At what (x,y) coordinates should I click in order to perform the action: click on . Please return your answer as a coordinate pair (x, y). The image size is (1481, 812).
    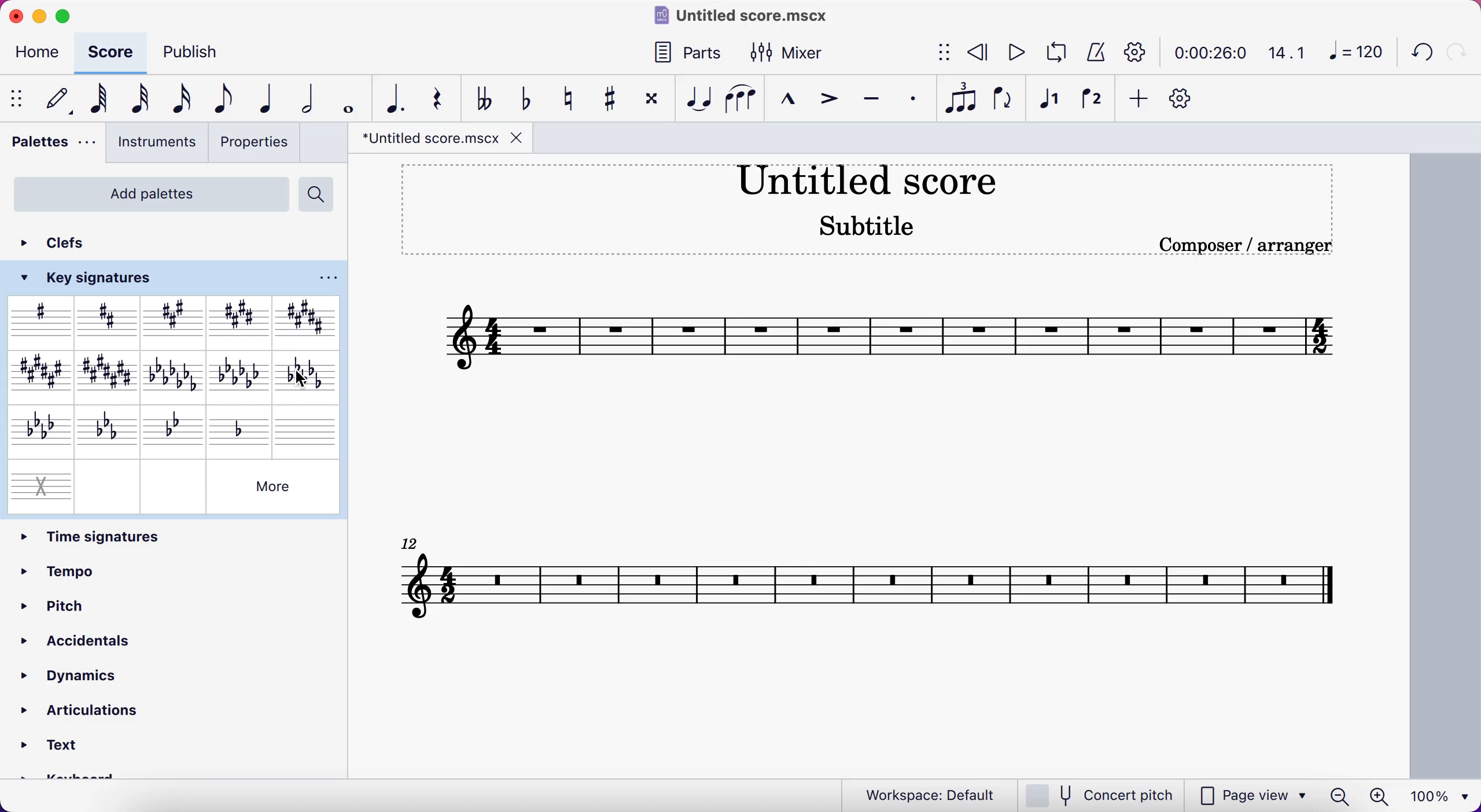
    Looking at the image, I should click on (325, 279).